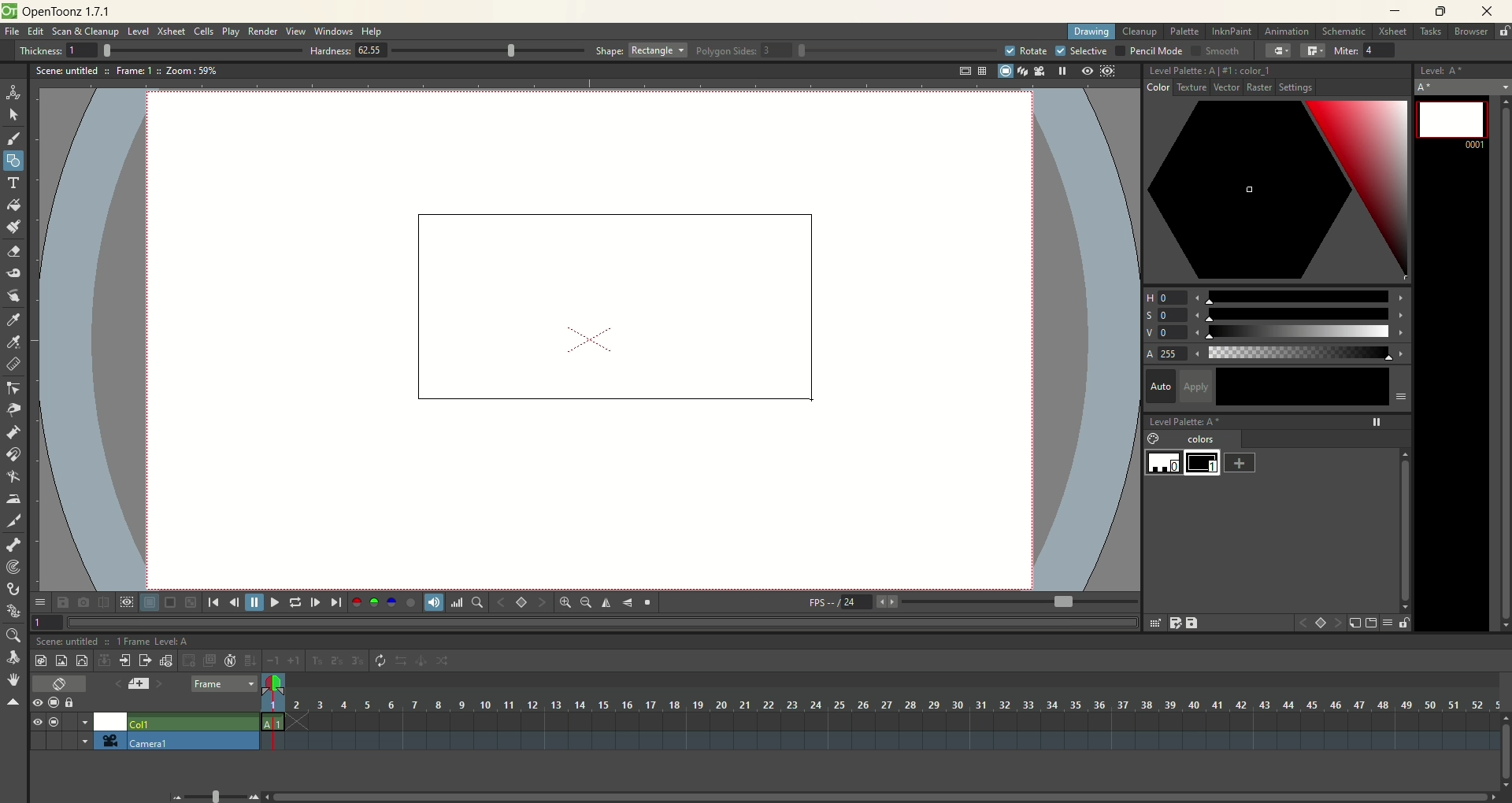 This screenshot has width=1512, height=803. Describe the element at coordinates (1082, 51) in the screenshot. I see `selective` at that location.